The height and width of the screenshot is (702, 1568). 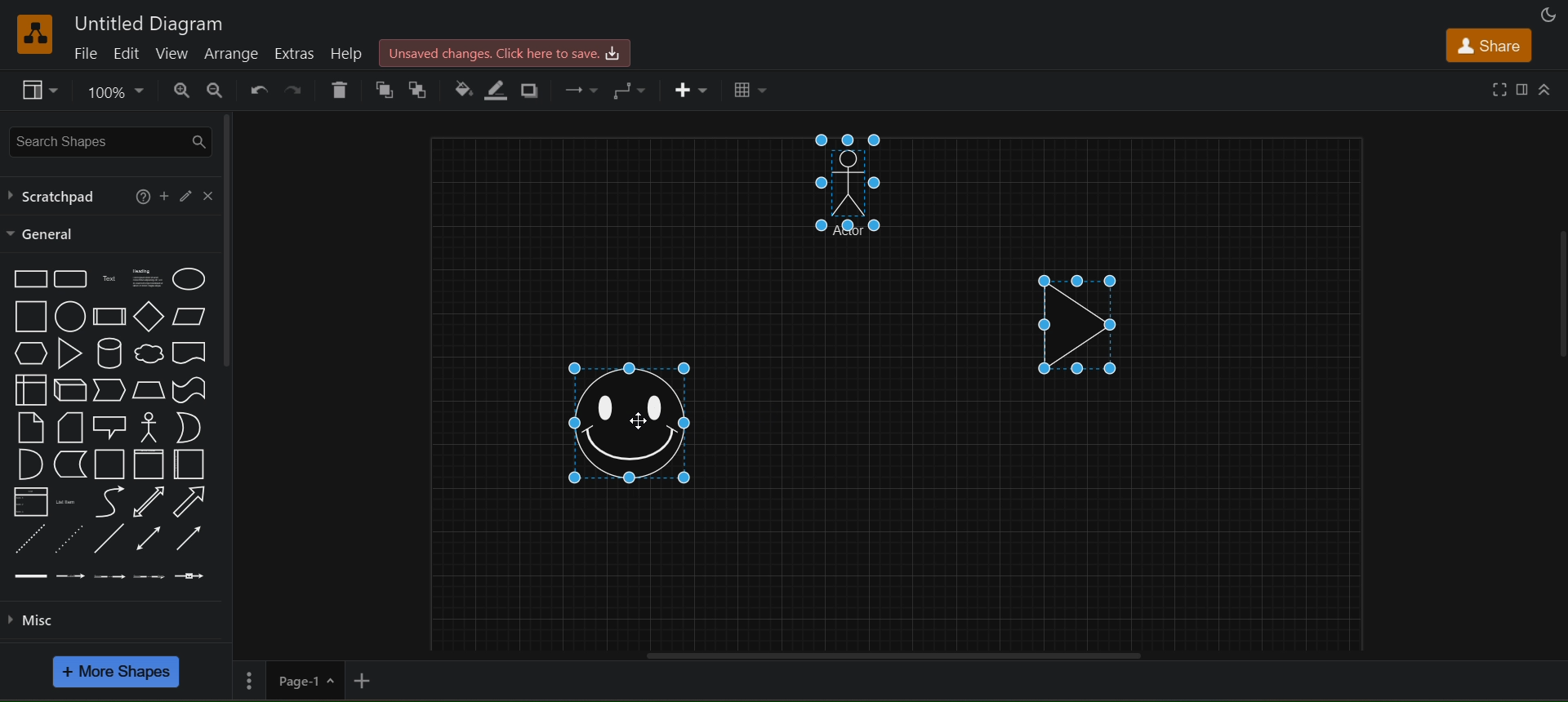 I want to click on data storage, so click(x=70, y=464).